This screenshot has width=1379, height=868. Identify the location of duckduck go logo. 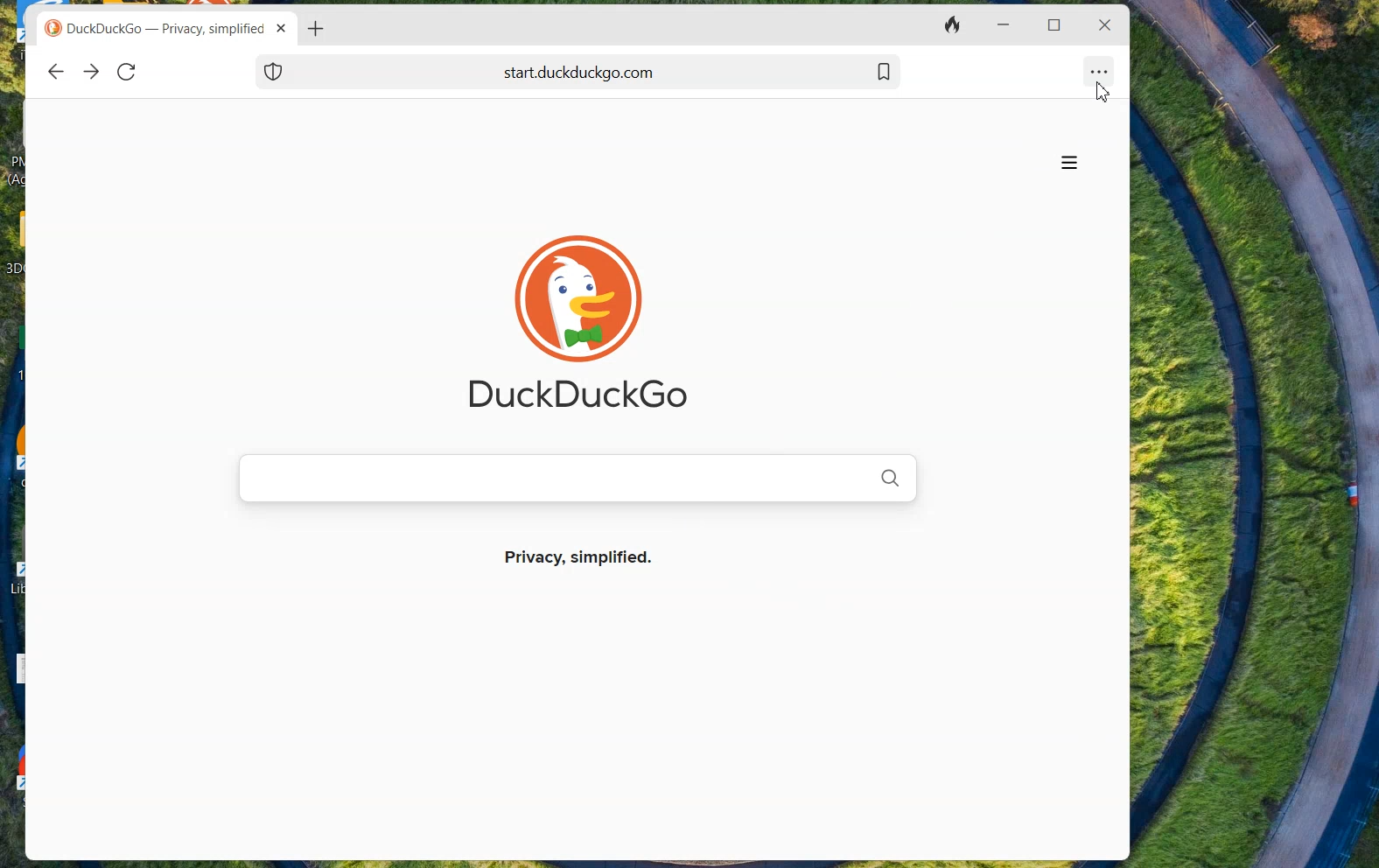
(53, 29).